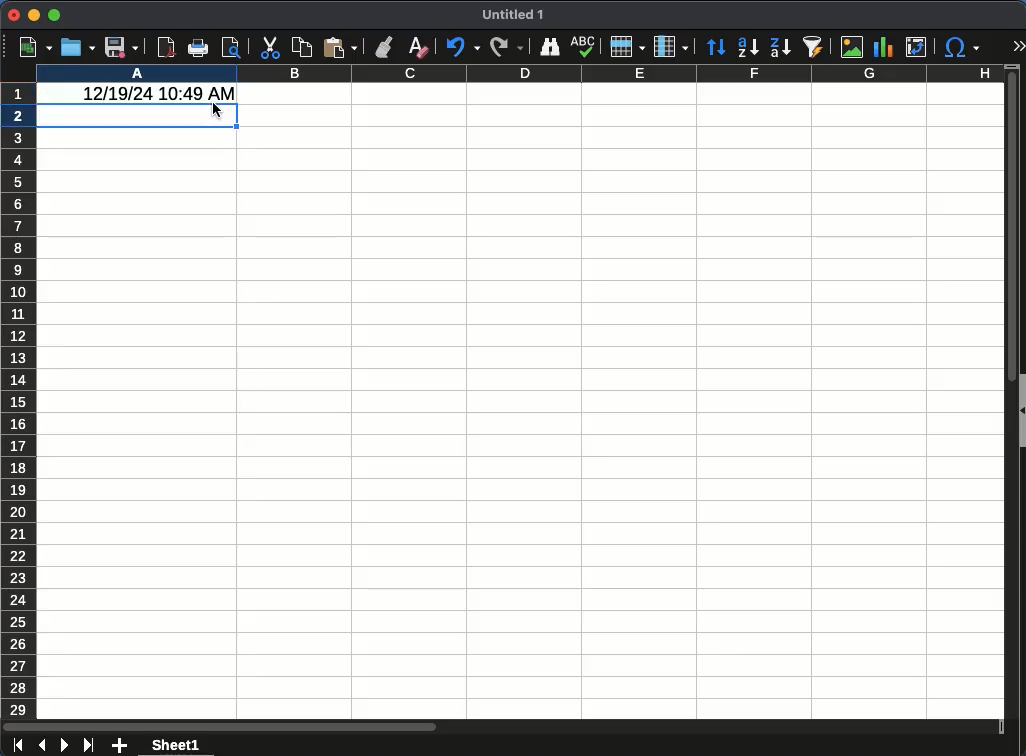  What do you see at coordinates (117, 746) in the screenshot?
I see `add sheet` at bounding box center [117, 746].